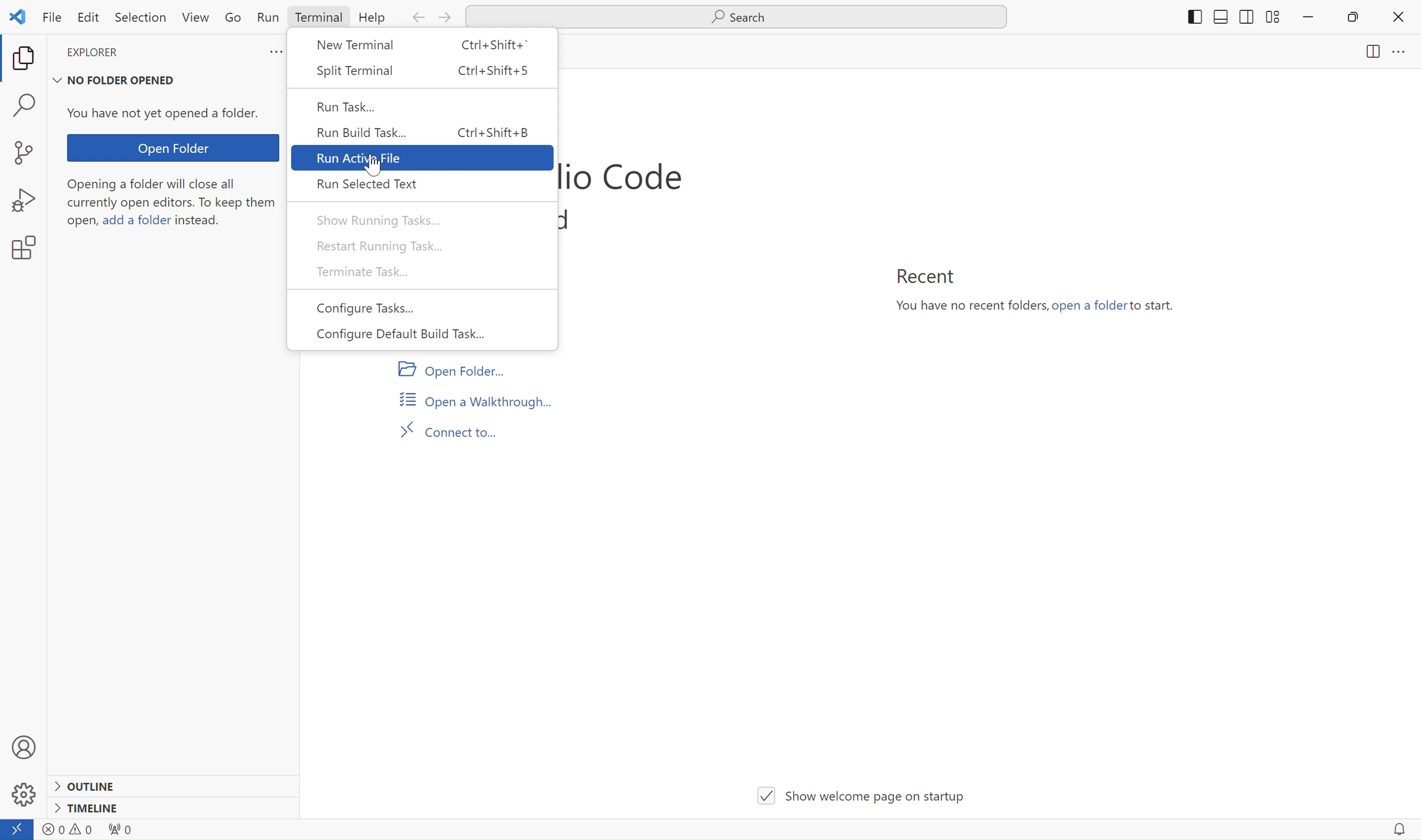 This screenshot has width=1421, height=840. Describe the element at coordinates (32, 247) in the screenshot. I see `settings` at that location.